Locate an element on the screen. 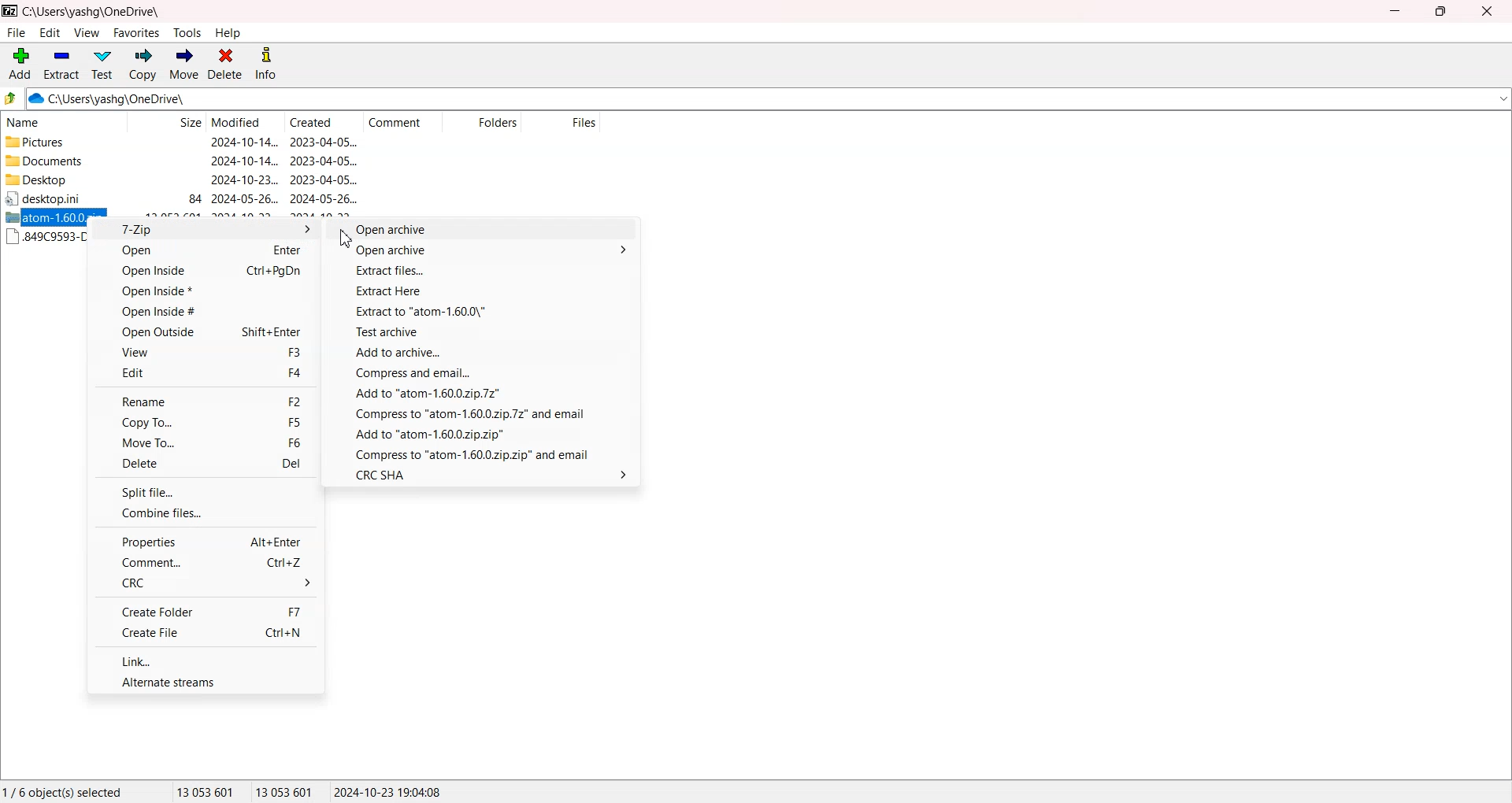 The height and width of the screenshot is (803, 1512). CRC is located at coordinates (205, 583).